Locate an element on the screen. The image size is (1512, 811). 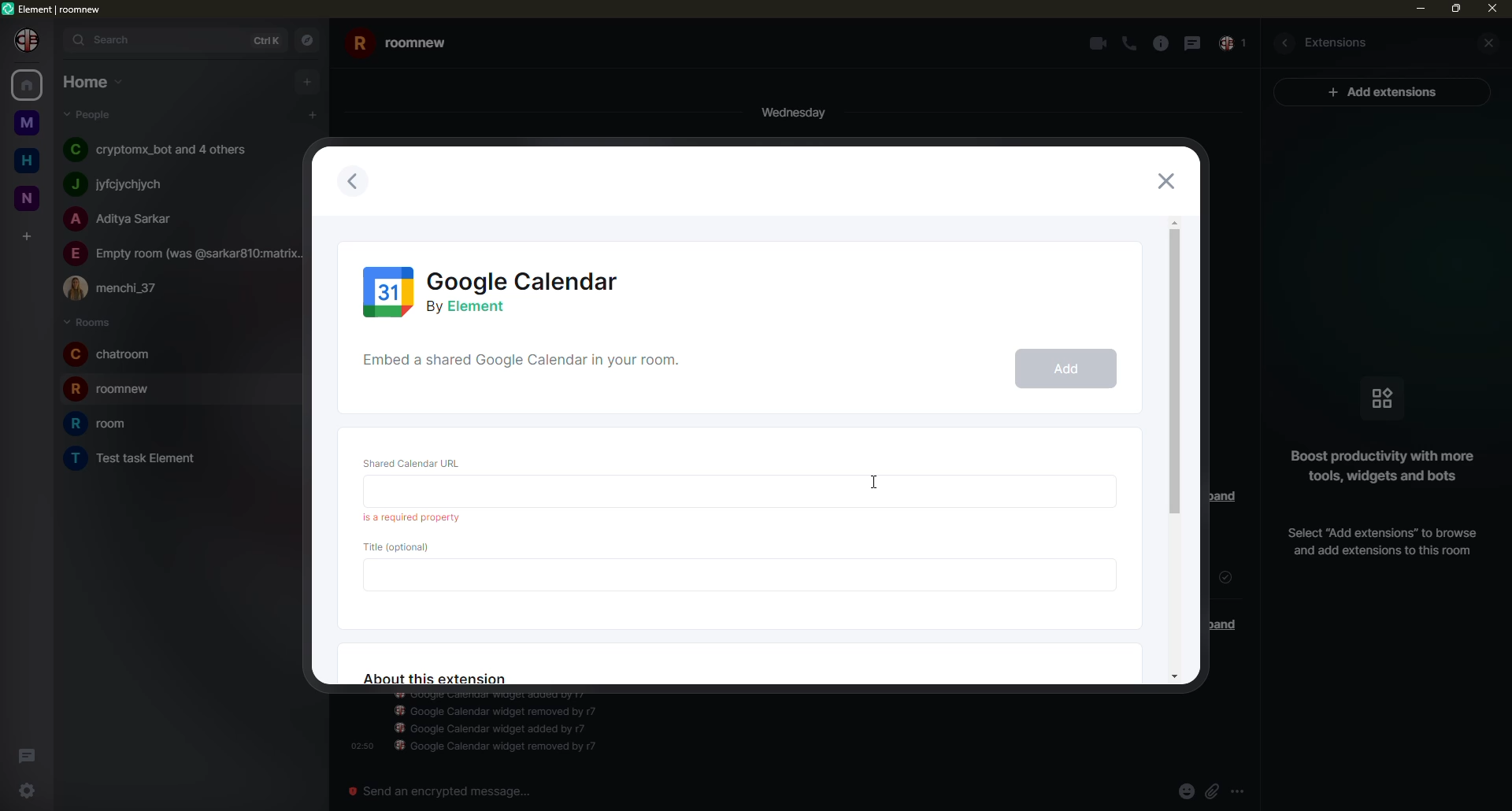
max is located at coordinates (1454, 10).